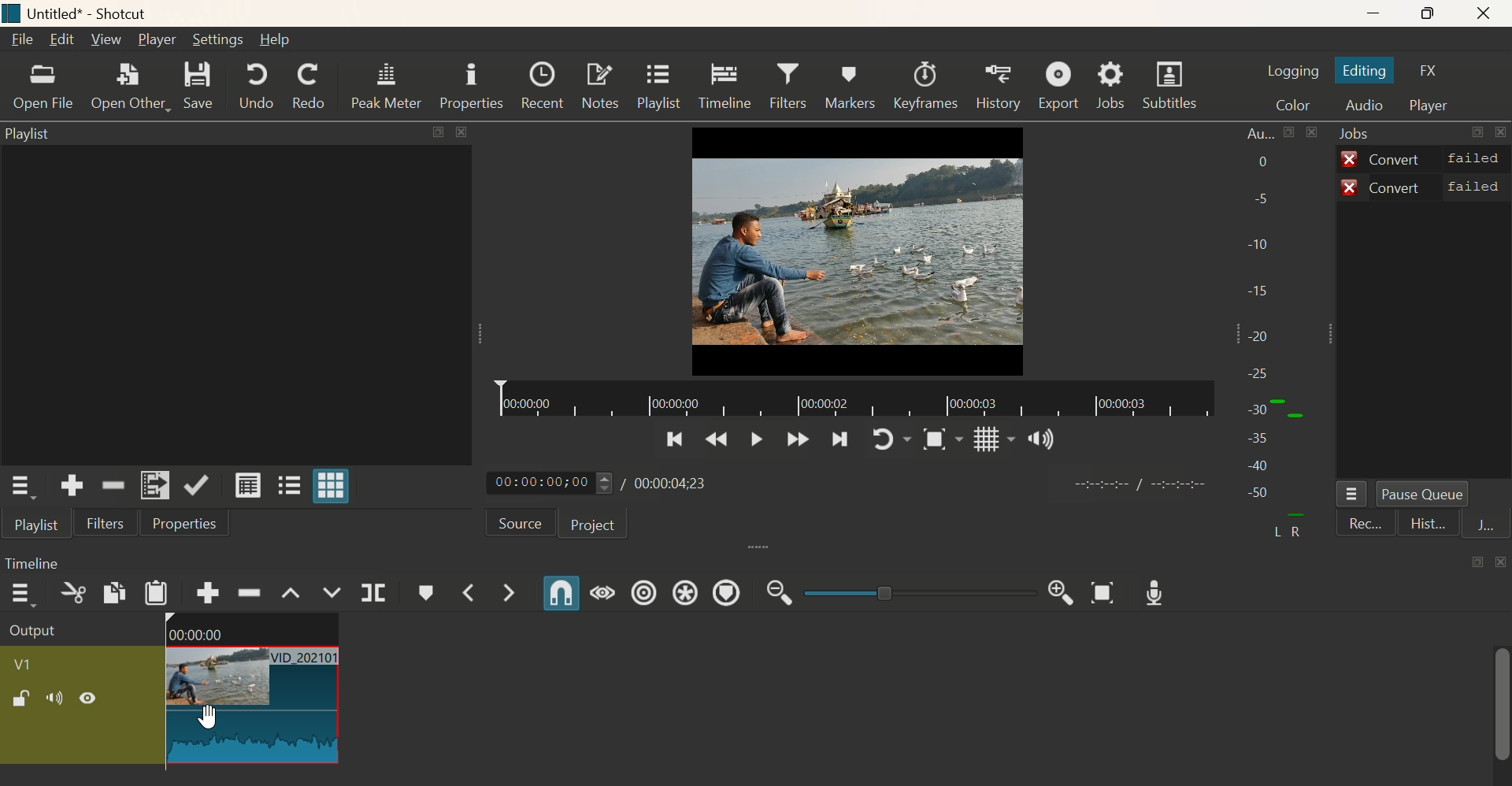 This screenshot has height=786, width=1512. I want to click on View, so click(105, 38).